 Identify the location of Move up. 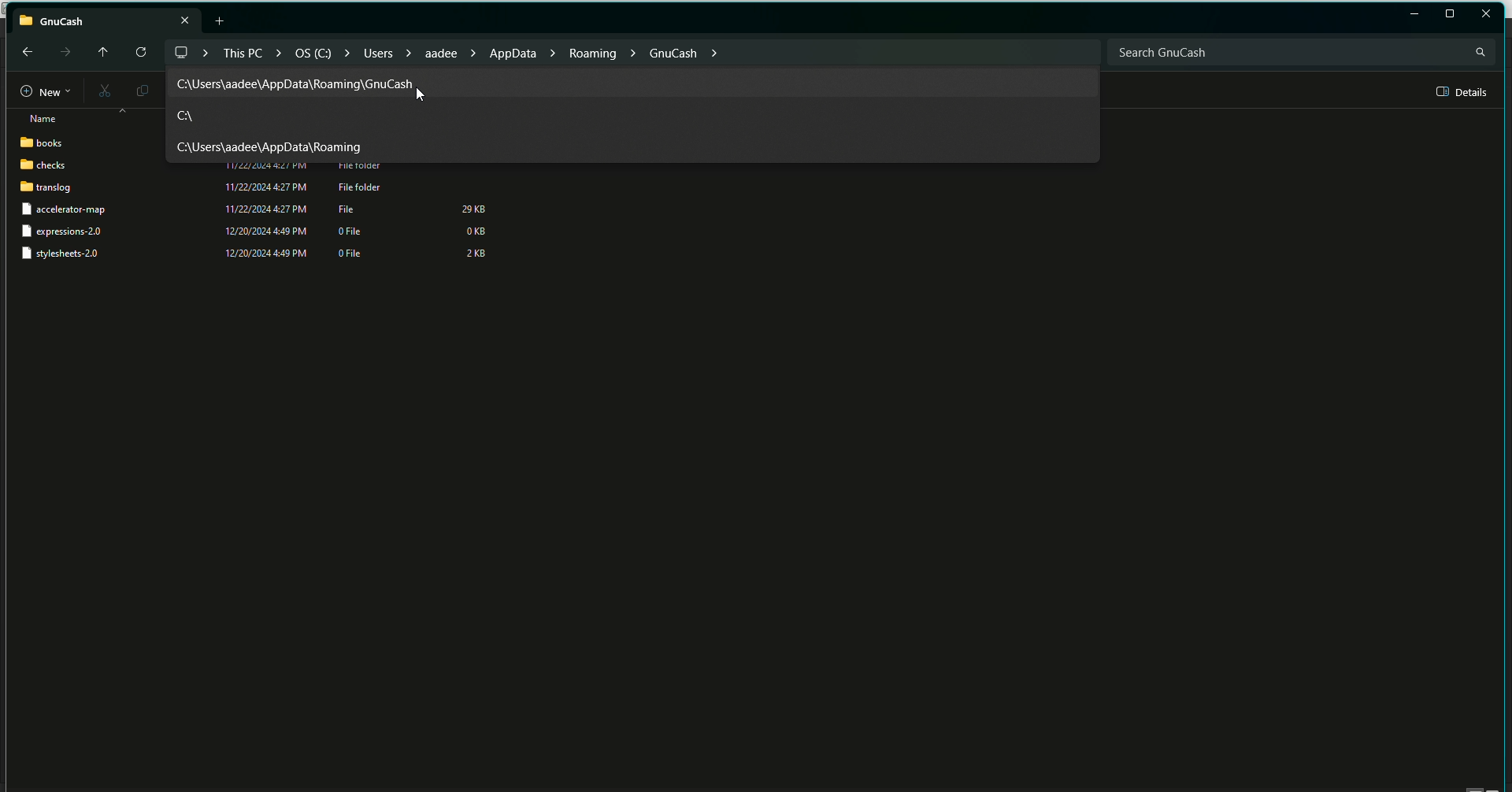
(99, 50).